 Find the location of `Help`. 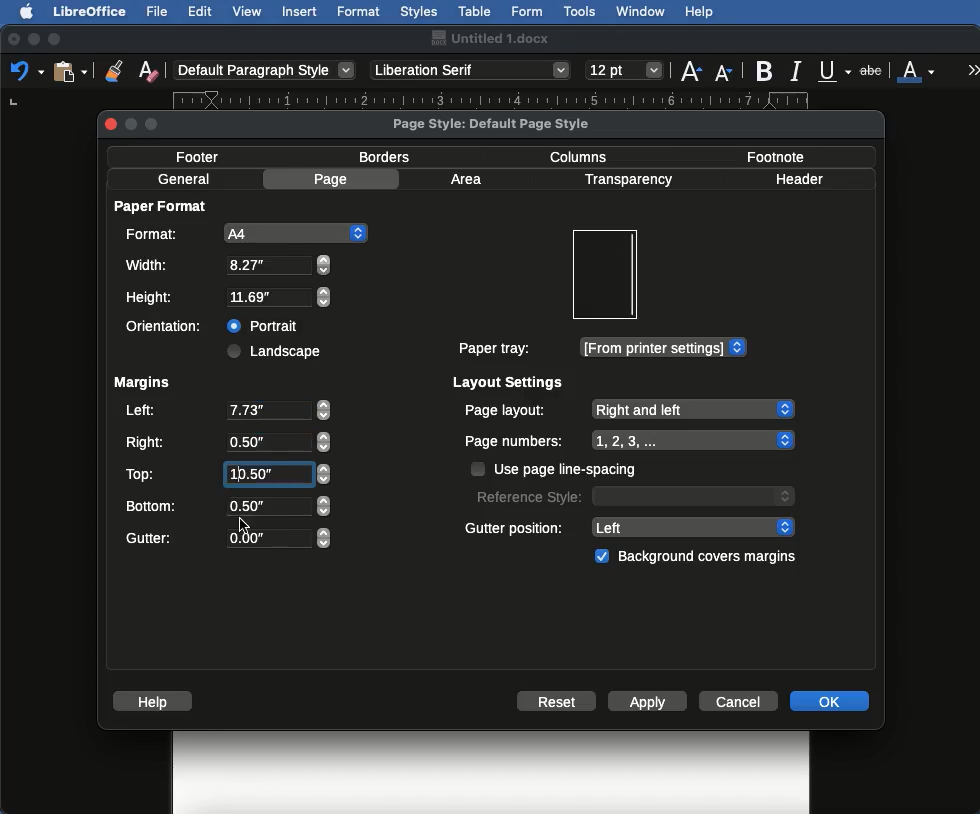

Help is located at coordinates (699, 12).